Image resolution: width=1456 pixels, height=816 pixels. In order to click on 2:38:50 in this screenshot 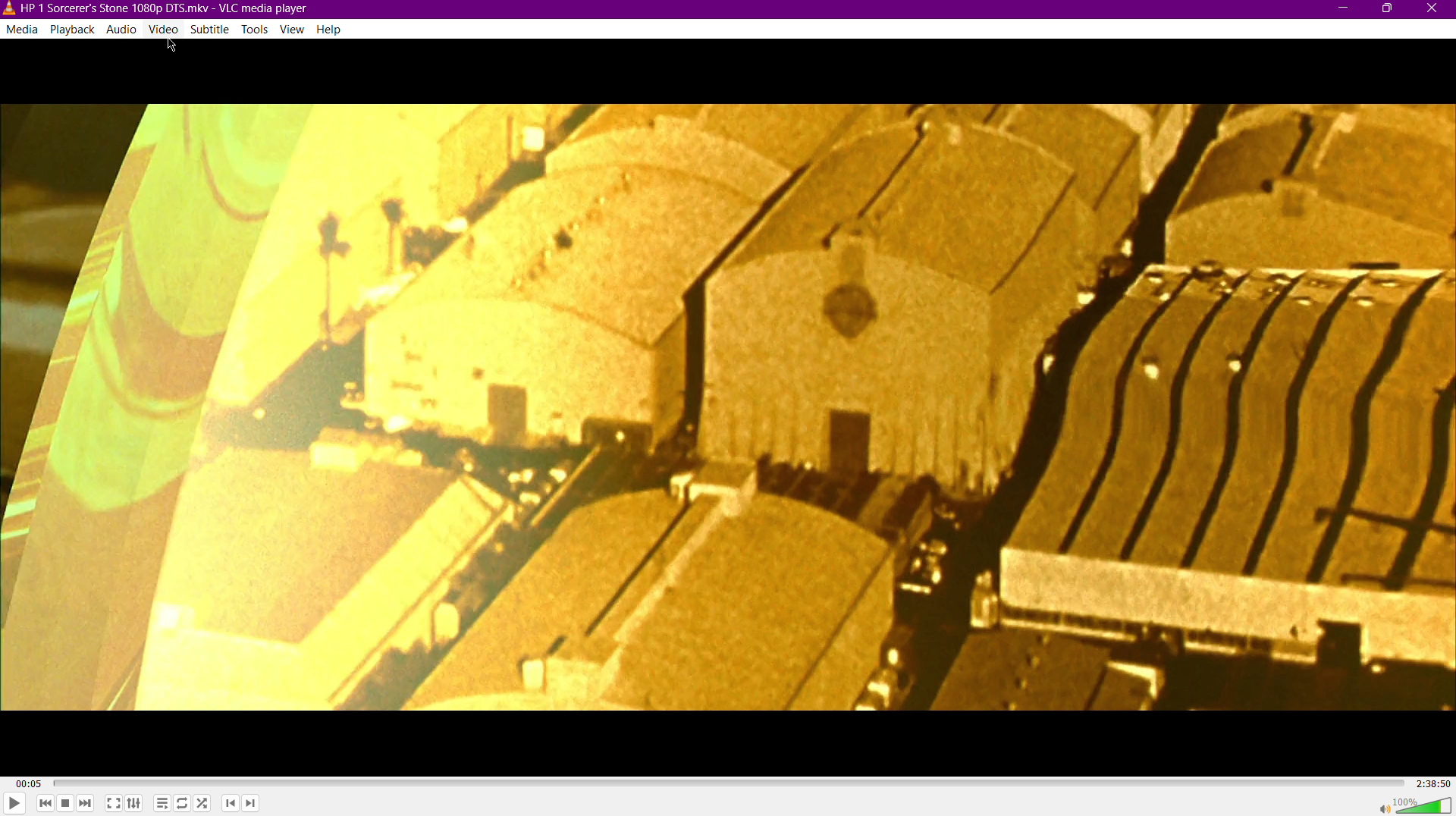, I will do `click(1435, 781)`.